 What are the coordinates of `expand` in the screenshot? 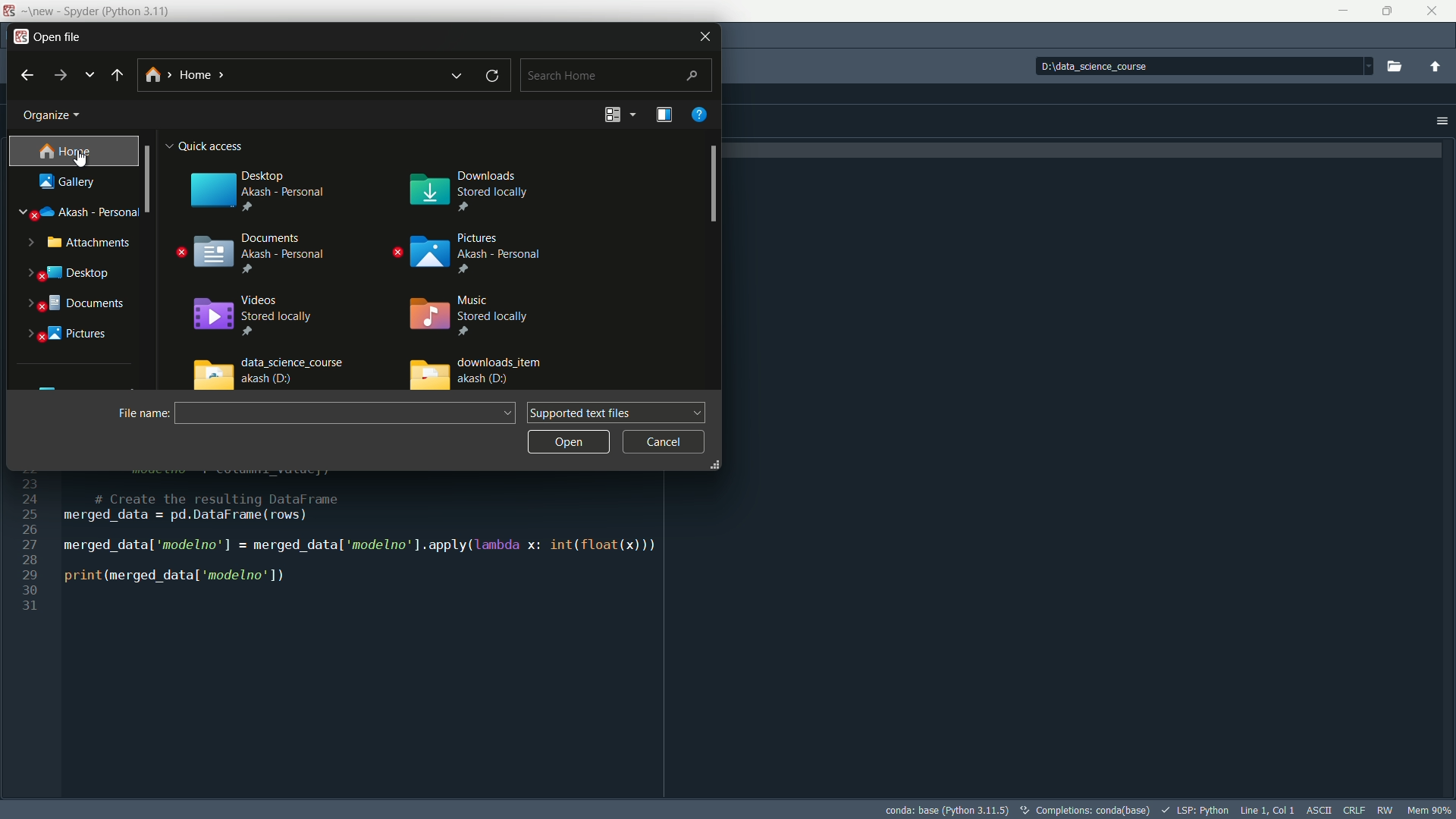 It's located at (30, 334).